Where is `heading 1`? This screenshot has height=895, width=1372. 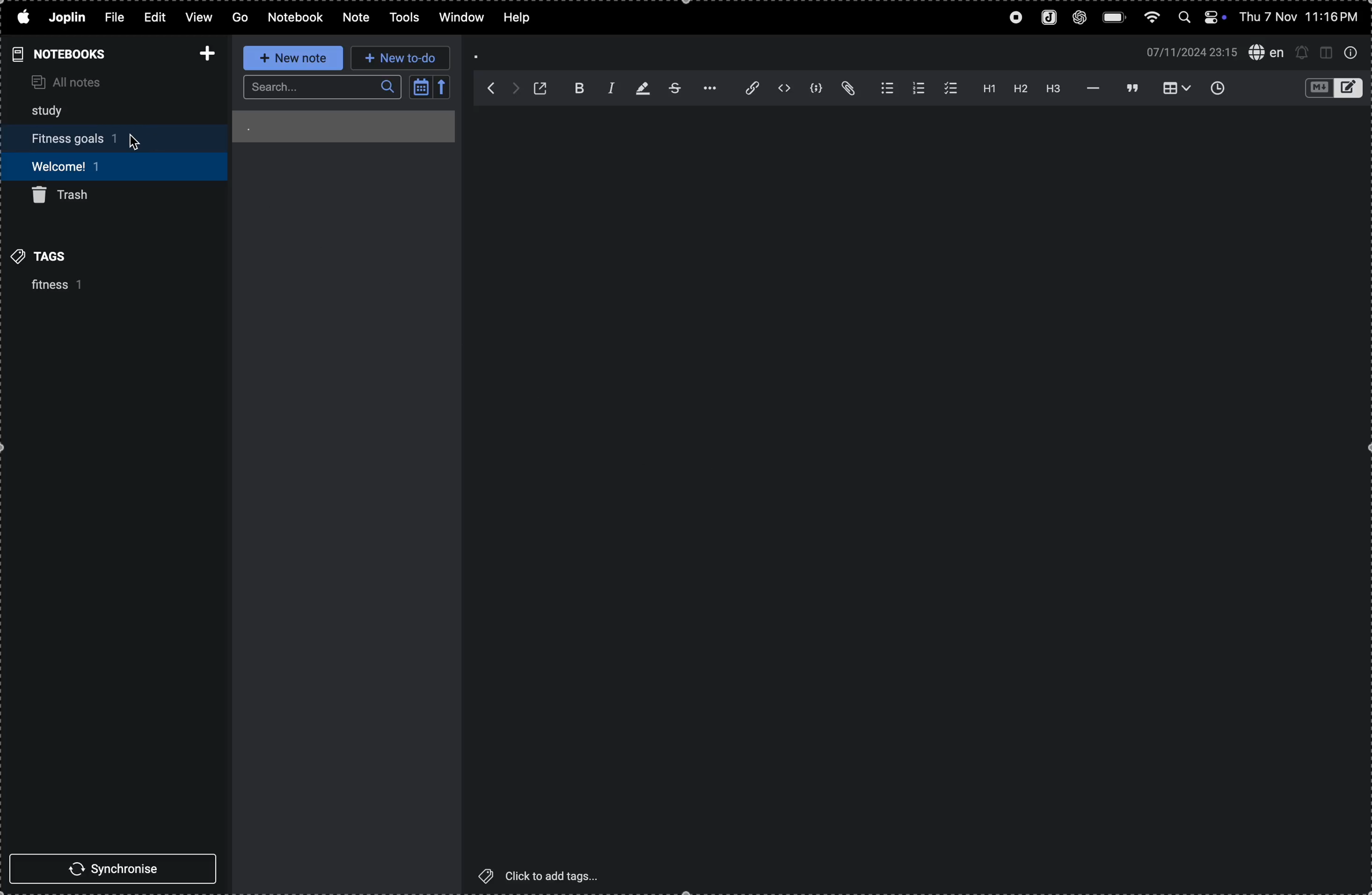 heading 1 is located at coordinates (985, 89).